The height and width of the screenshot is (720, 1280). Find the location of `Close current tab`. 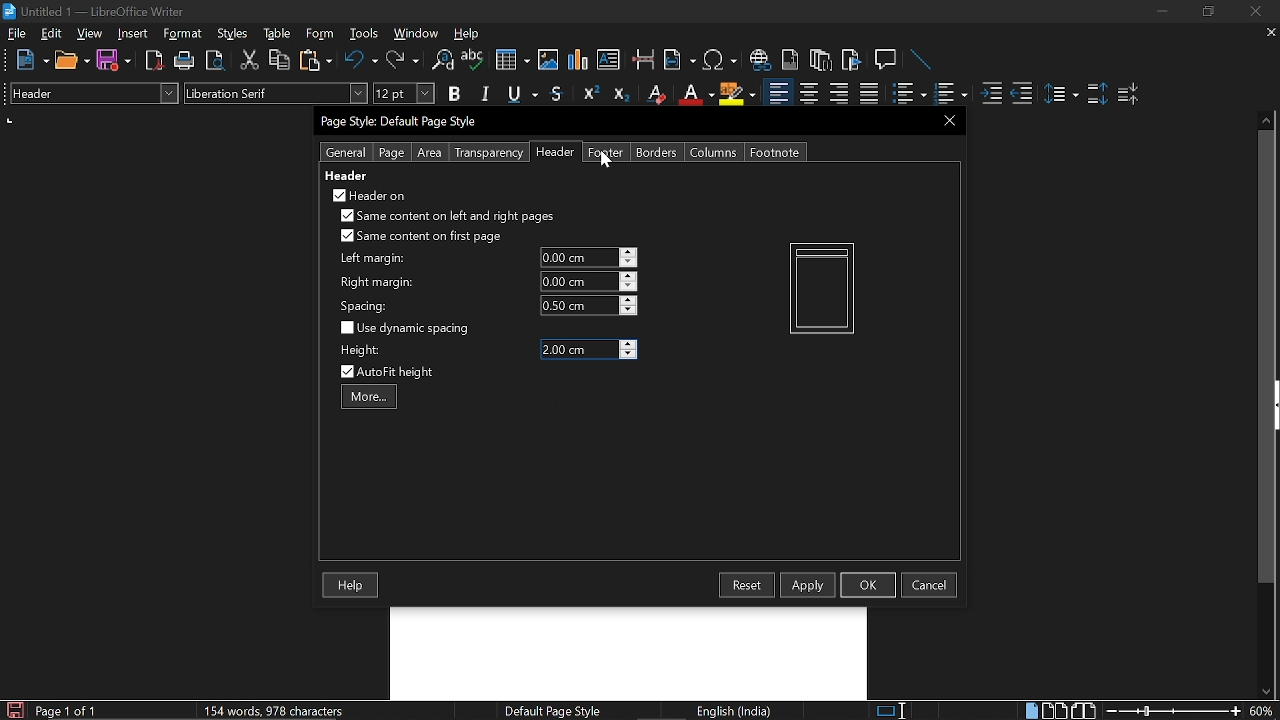

Close current tab is located at coordinates (1267, 32).